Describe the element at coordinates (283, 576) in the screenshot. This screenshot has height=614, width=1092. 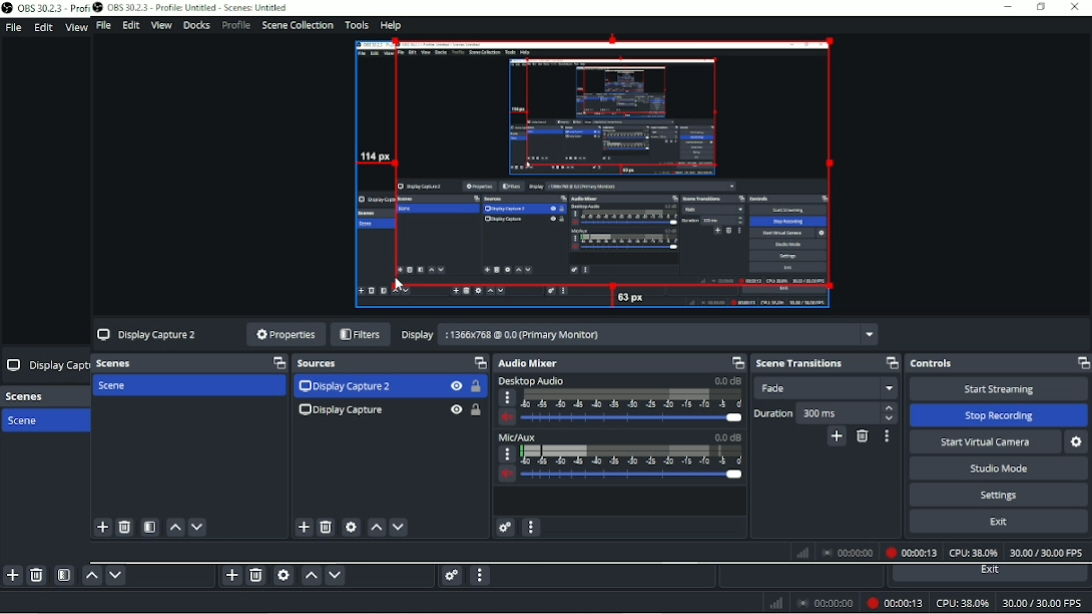
I see `Open source properties` at that location.